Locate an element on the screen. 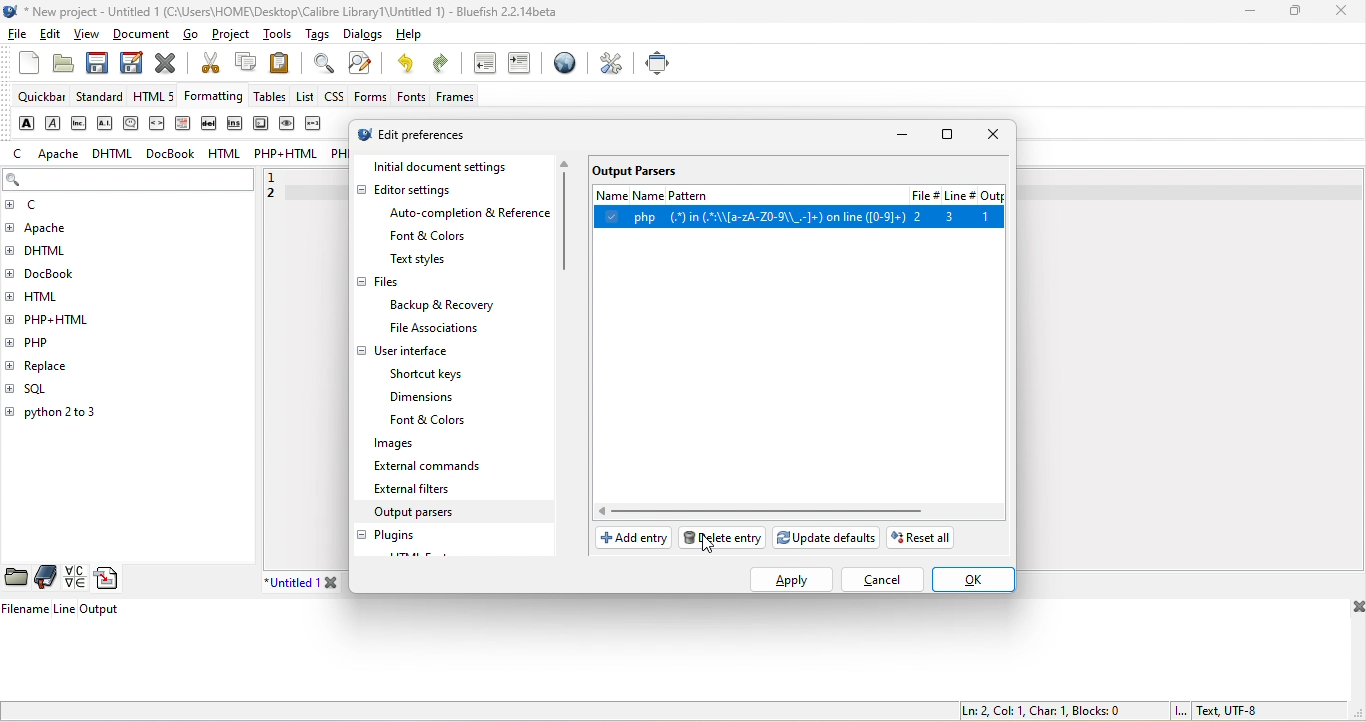  view is located at coordinates (89, 34).